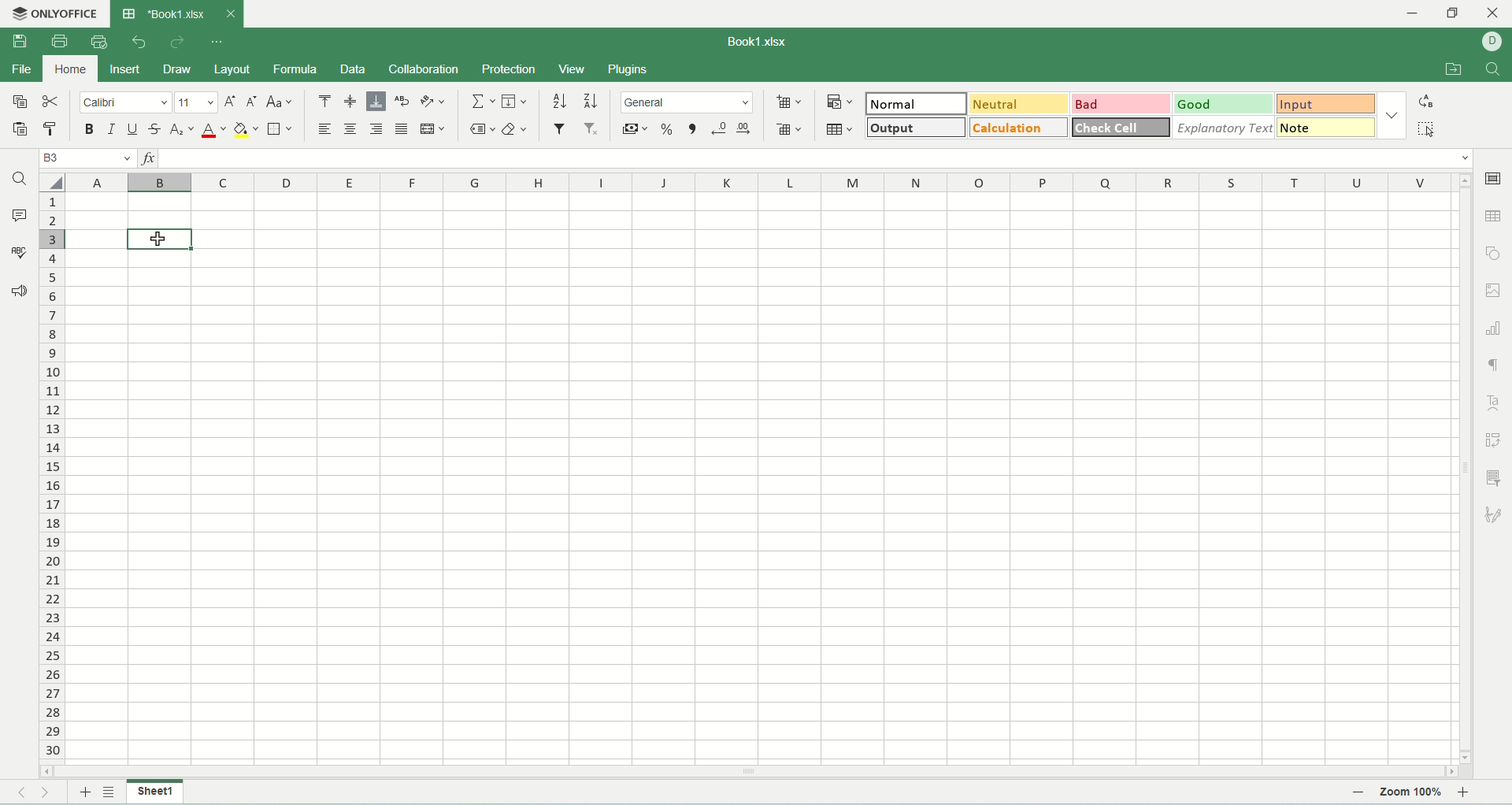 Image resolution: width=1512 pixels, height=805 pixels. I want to click on comma style, so click(695, 129).